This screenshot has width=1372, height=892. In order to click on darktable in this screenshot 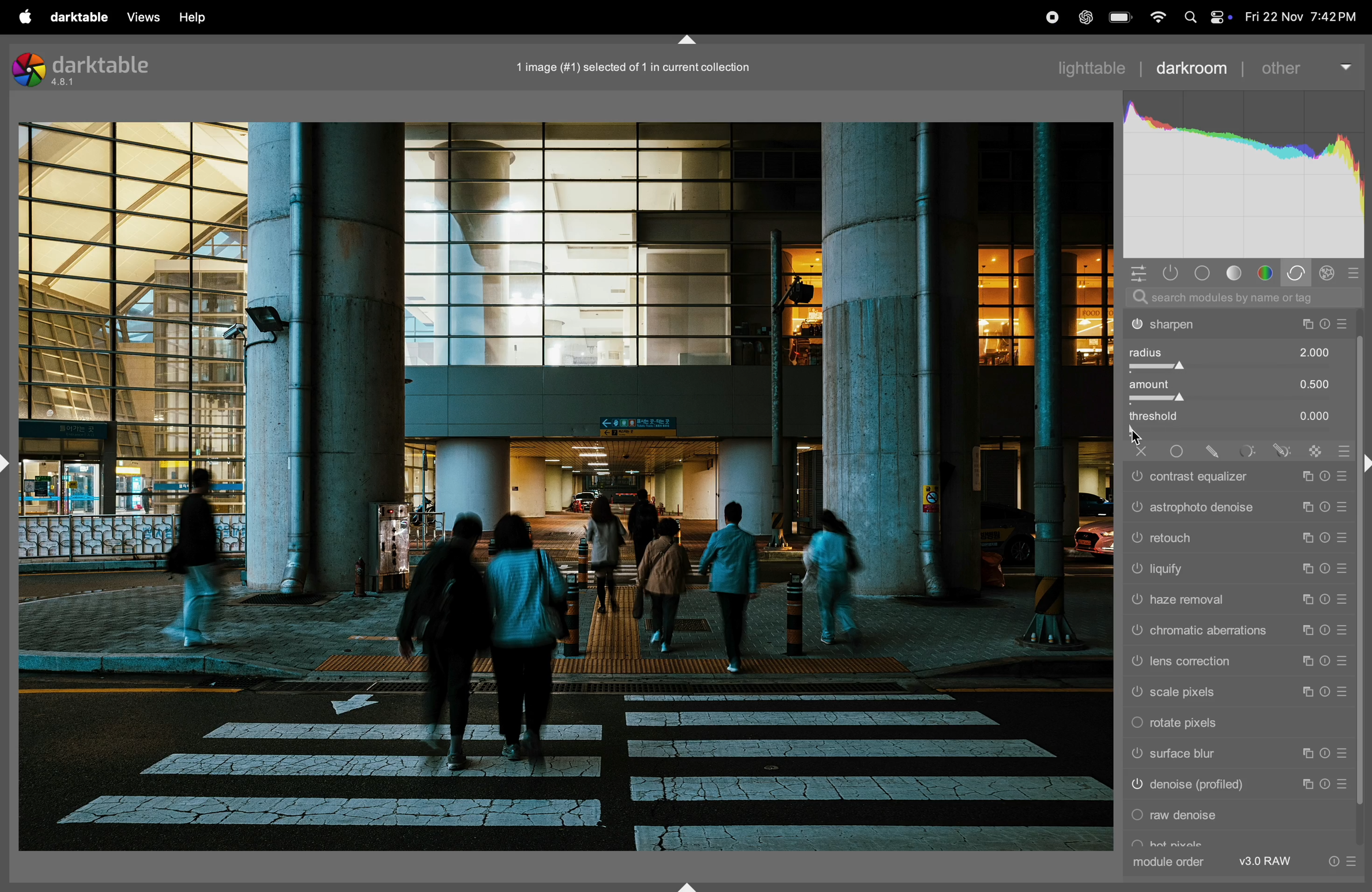, I will do `click(78, 17)`.